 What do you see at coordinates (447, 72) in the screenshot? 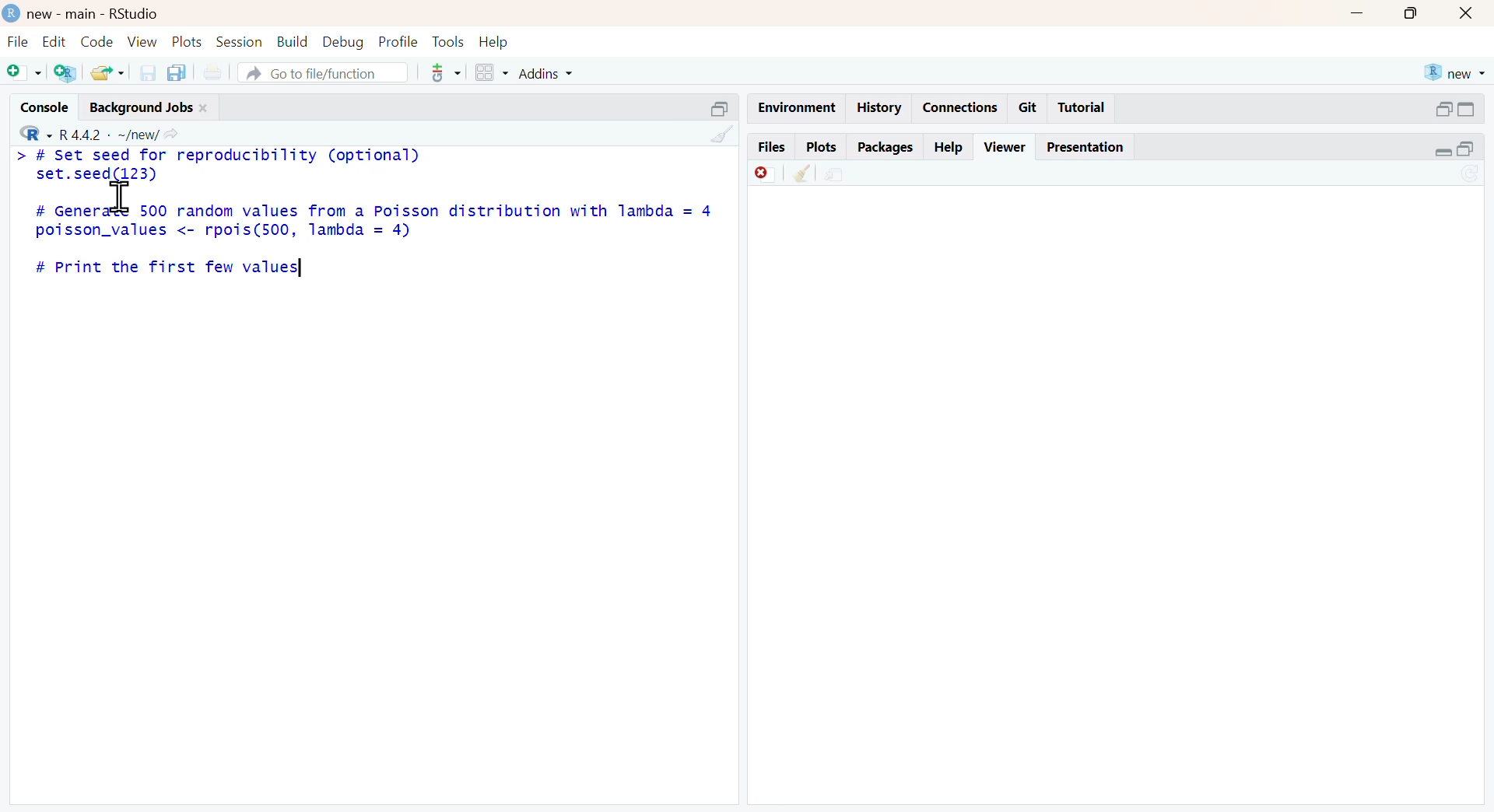
I see `tools` at bounding box center [447, 72].